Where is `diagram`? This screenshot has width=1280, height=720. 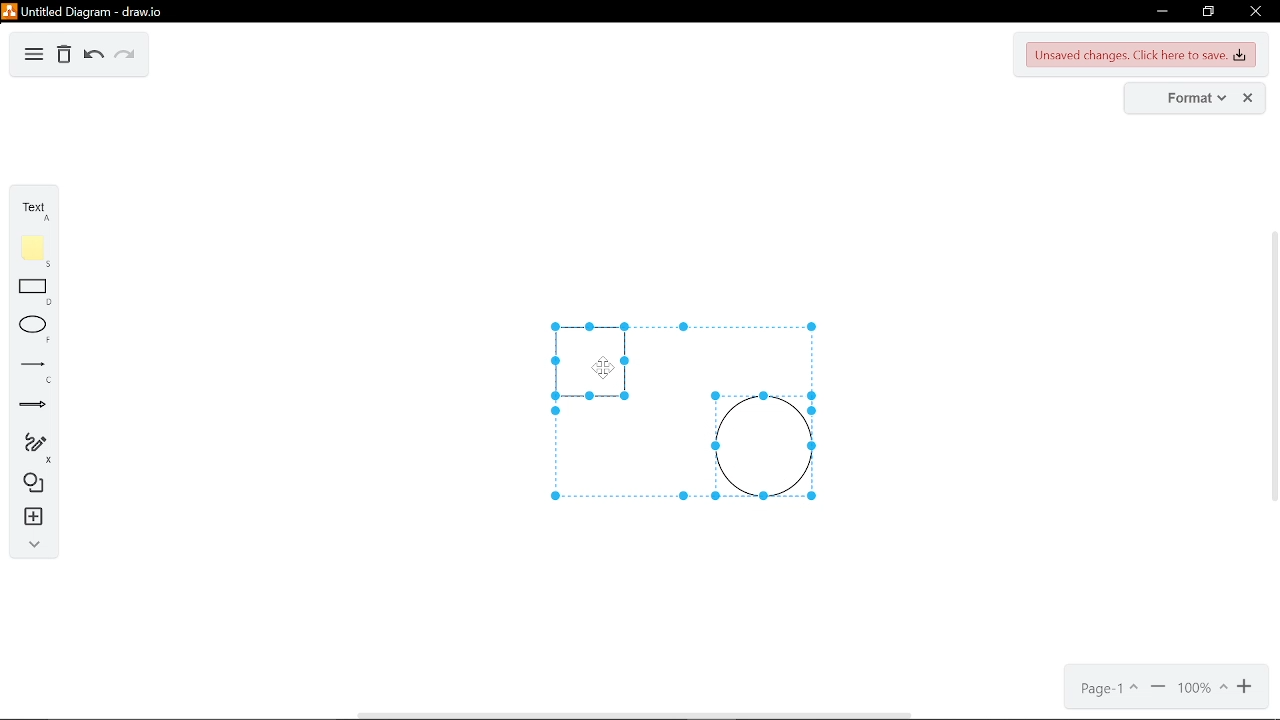
diagram is located at coordinates (34, 56).